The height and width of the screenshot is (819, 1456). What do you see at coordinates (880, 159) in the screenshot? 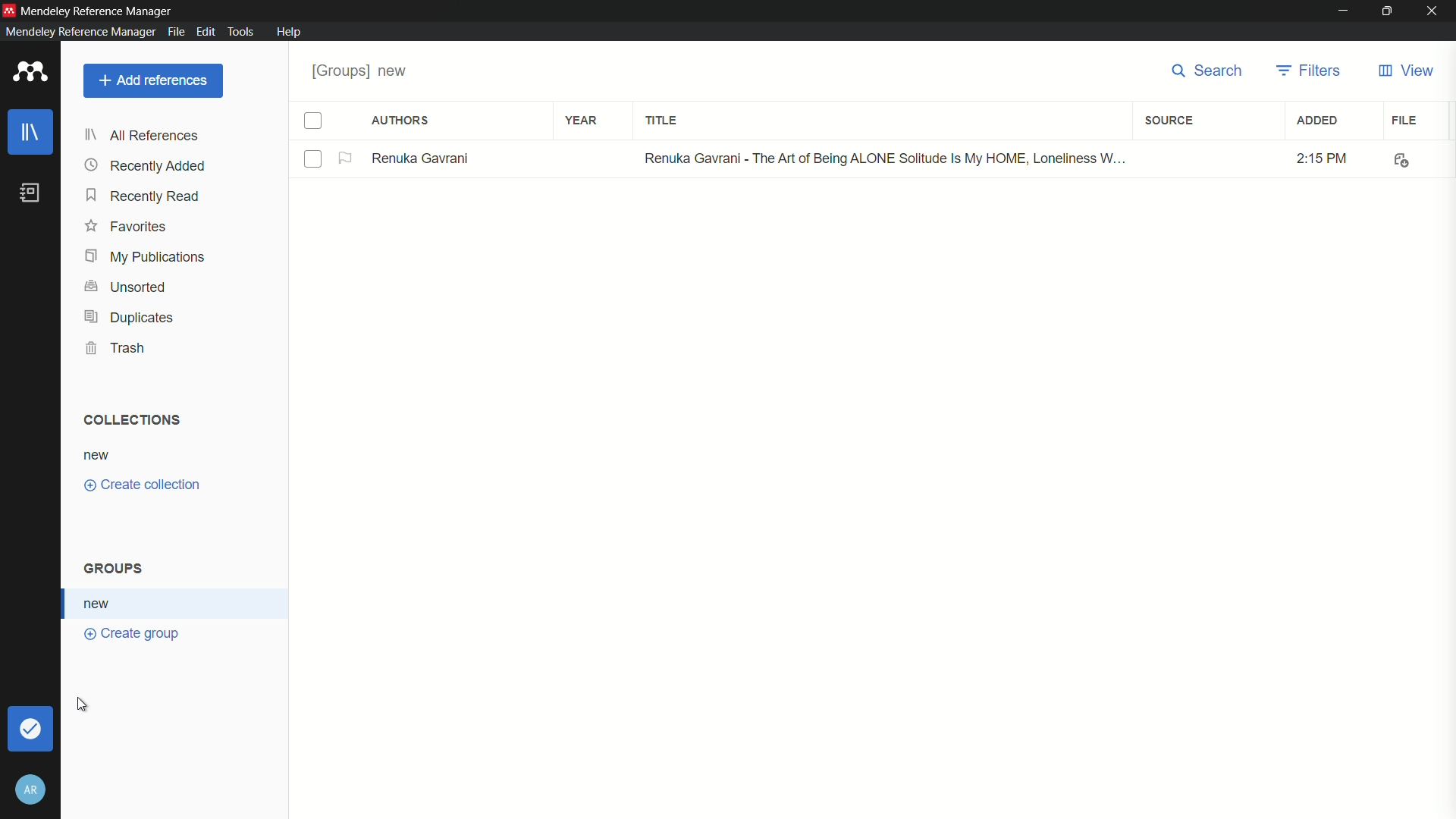
I see `Renuka Gavrani - The Art of Being ALONE Solitude is My HOME, Loneliness W...` at bounding box center [880, 159].